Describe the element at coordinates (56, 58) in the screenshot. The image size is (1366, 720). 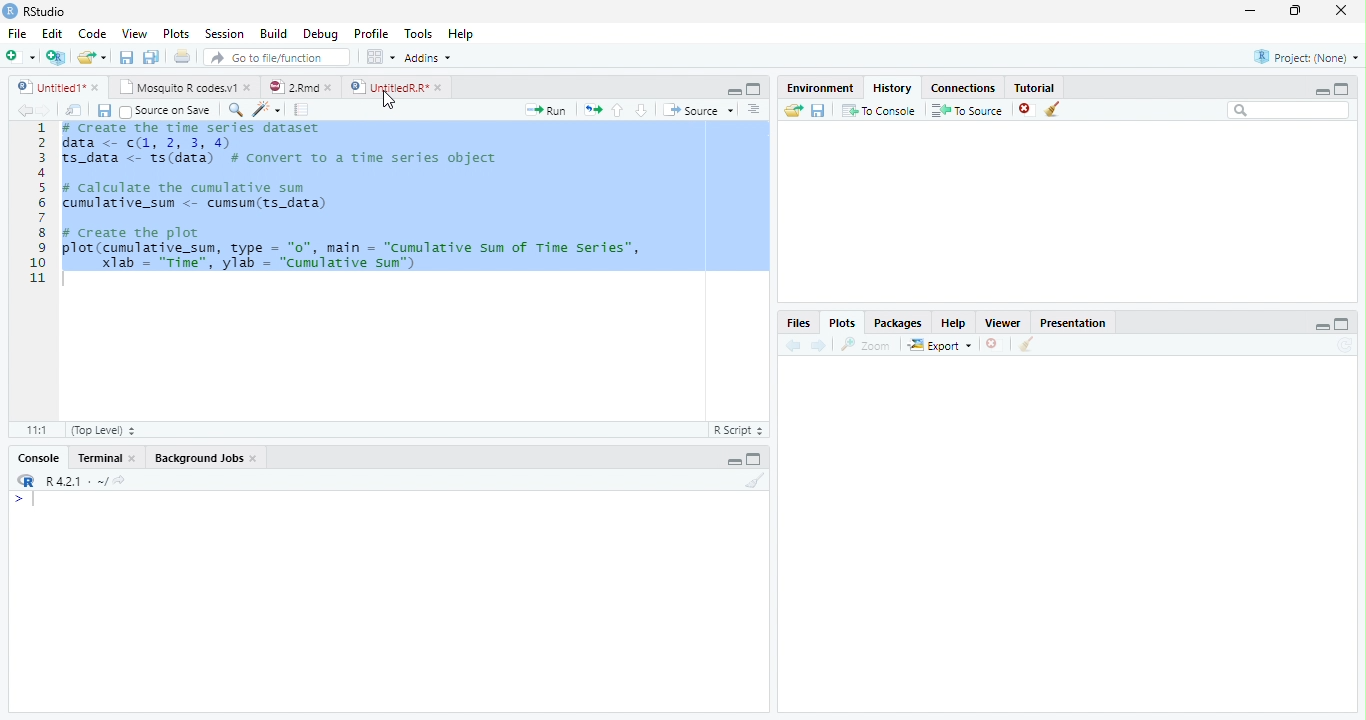
I see `Create a Project` at that location.